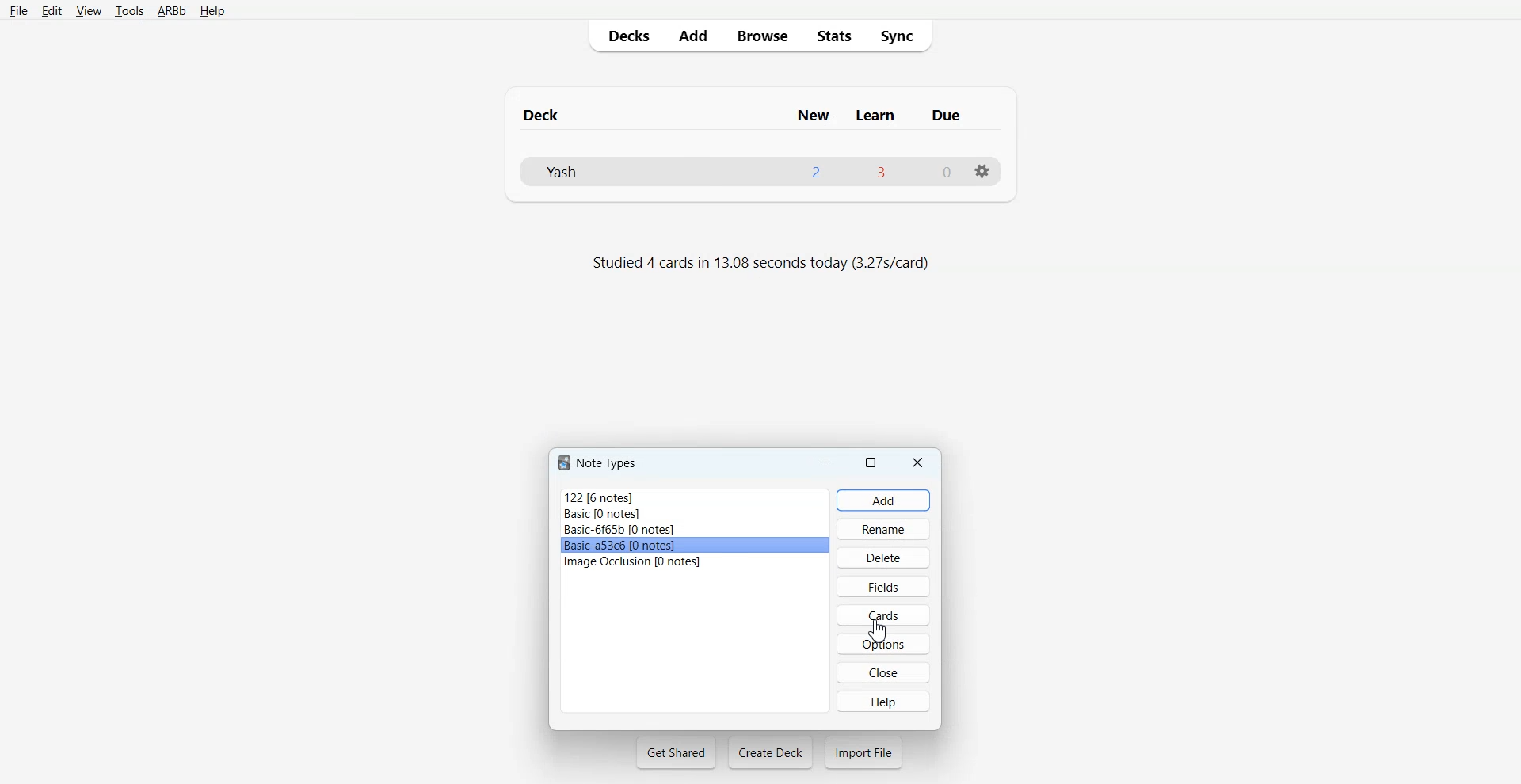 This screenshot has height=784, width=1521. Describe the element at coordinates (918, 462) in the screenshot. I see `Close` at that location.